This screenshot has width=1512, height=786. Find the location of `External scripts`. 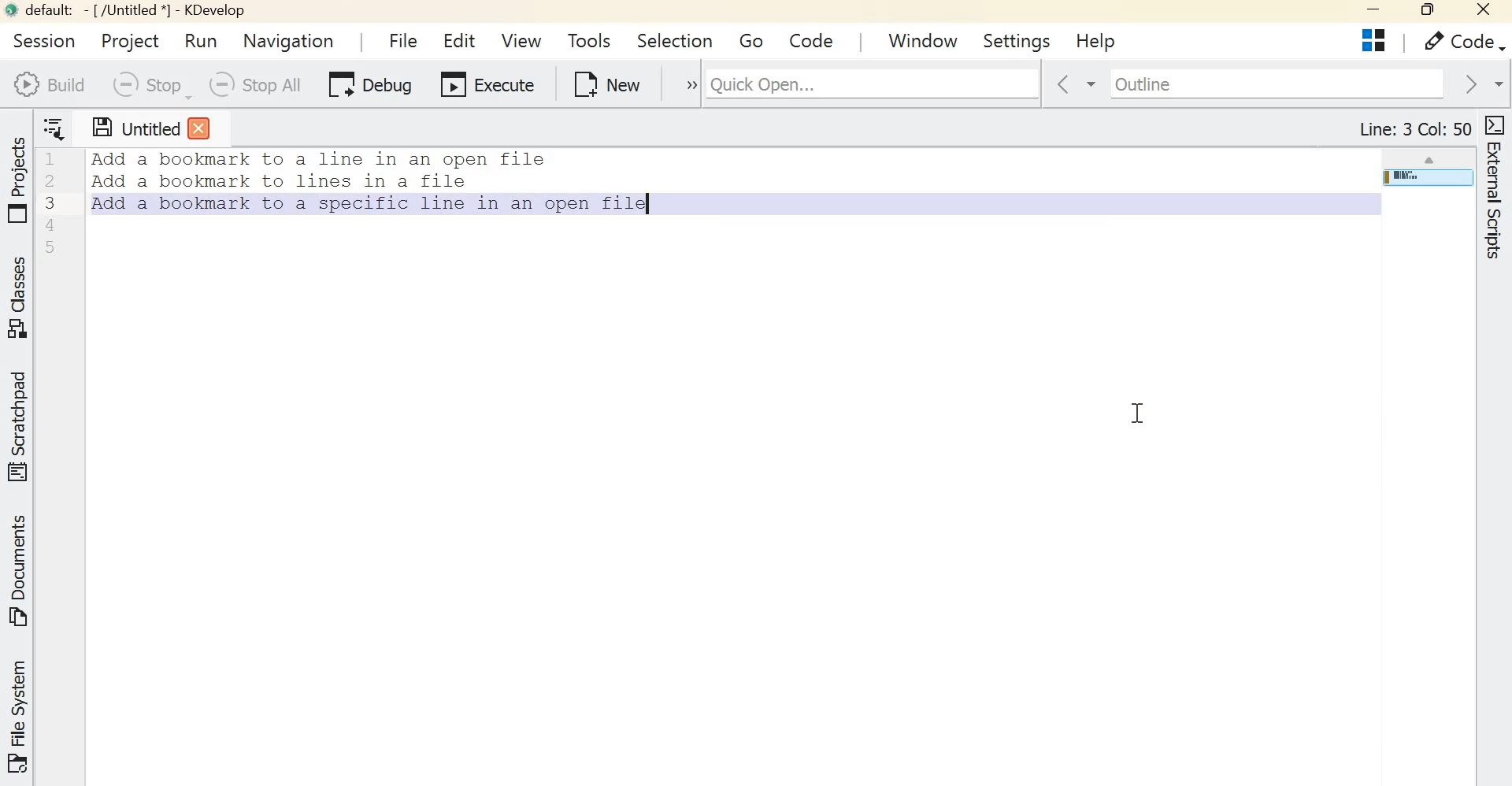

External scripts is located at coordinates (1497, 199).